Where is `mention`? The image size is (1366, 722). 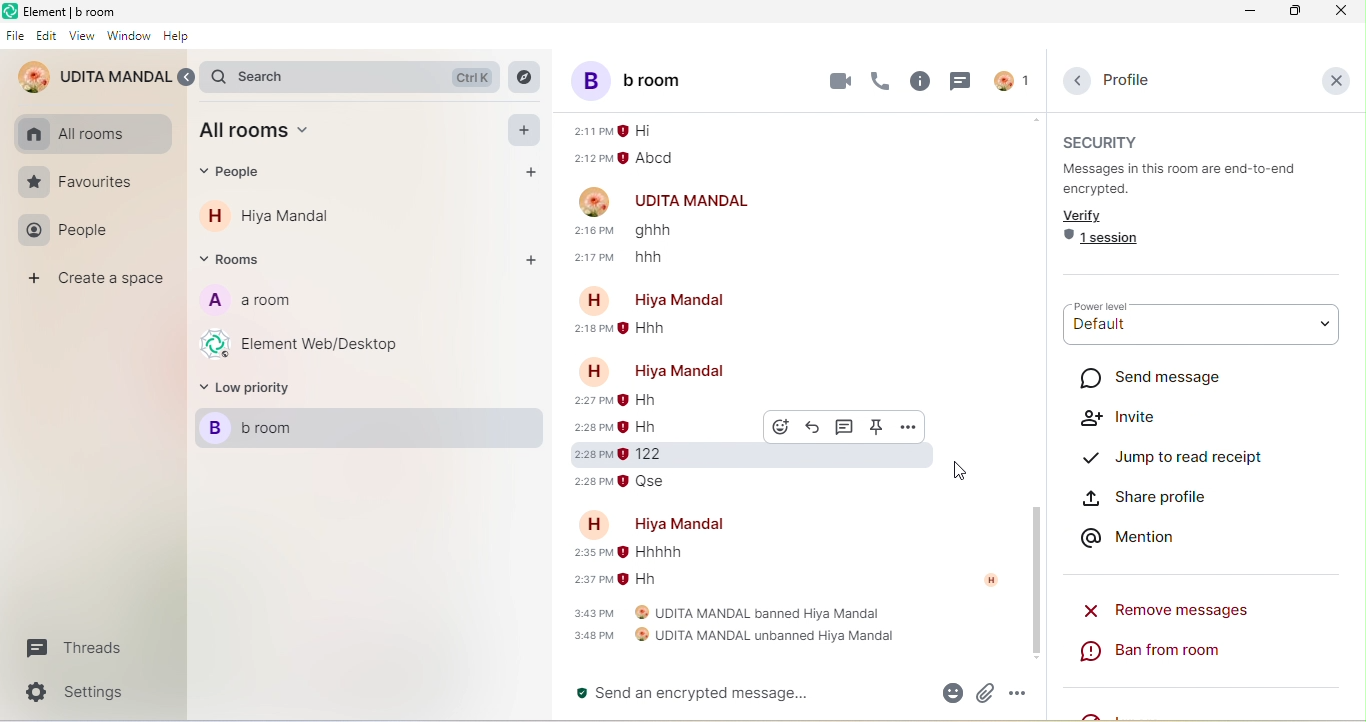 mention is located at coordinates (1137, 535).